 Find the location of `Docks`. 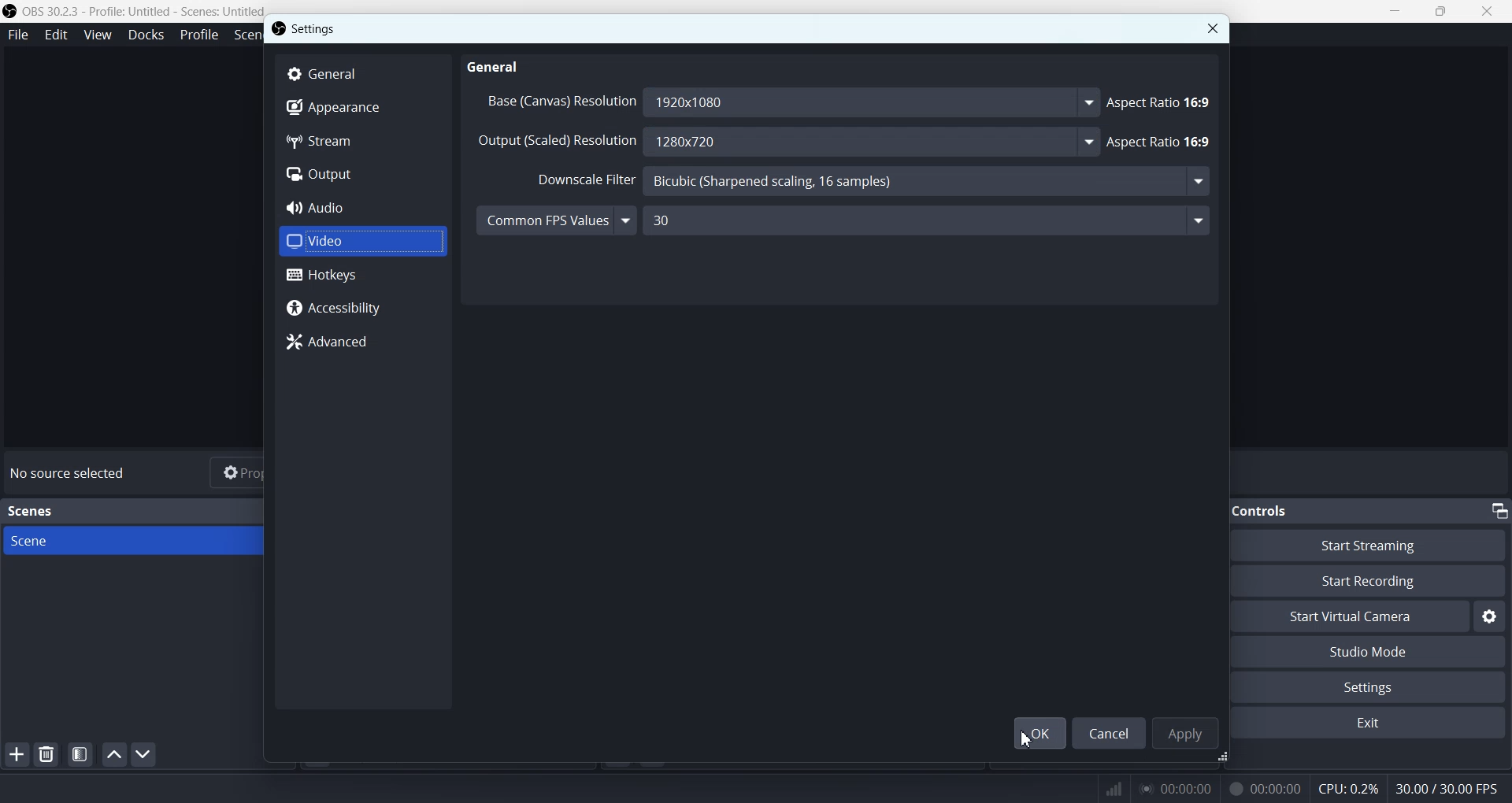

Docks is located at coordinates (146, 35).